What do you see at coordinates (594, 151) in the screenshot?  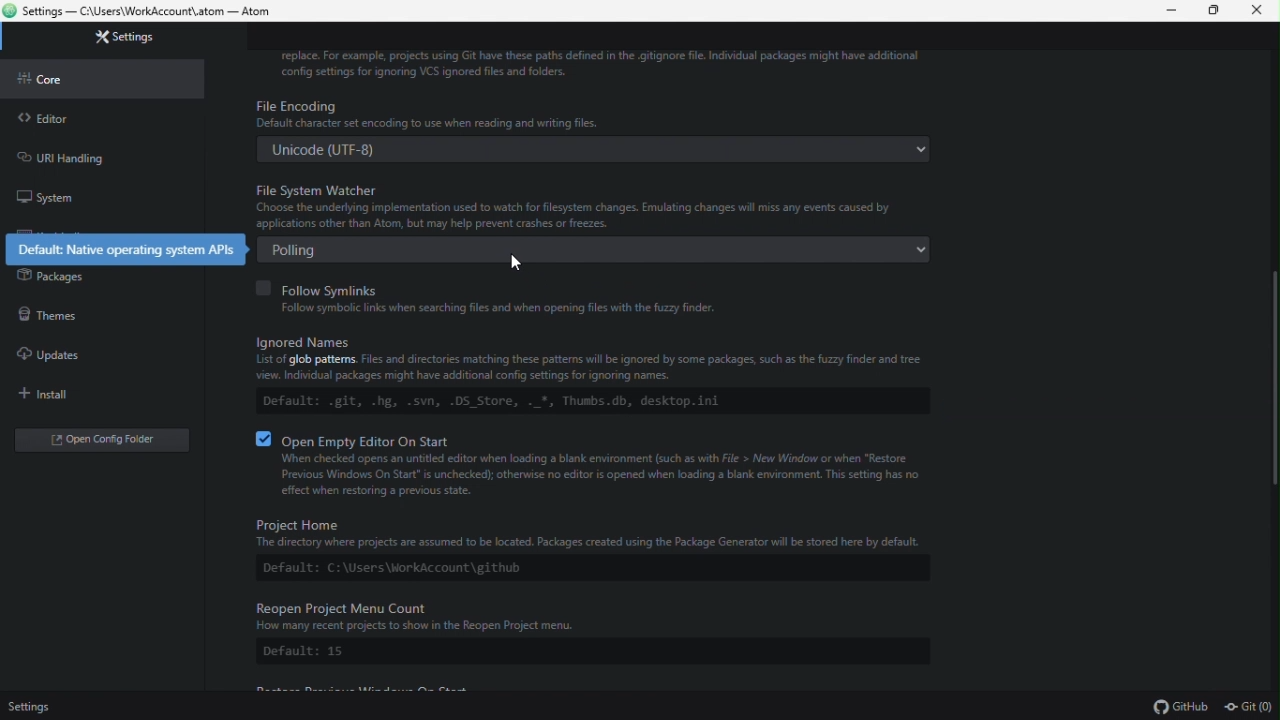 I see `Unicode (UTF-8)` at bounding box center [594, 151].